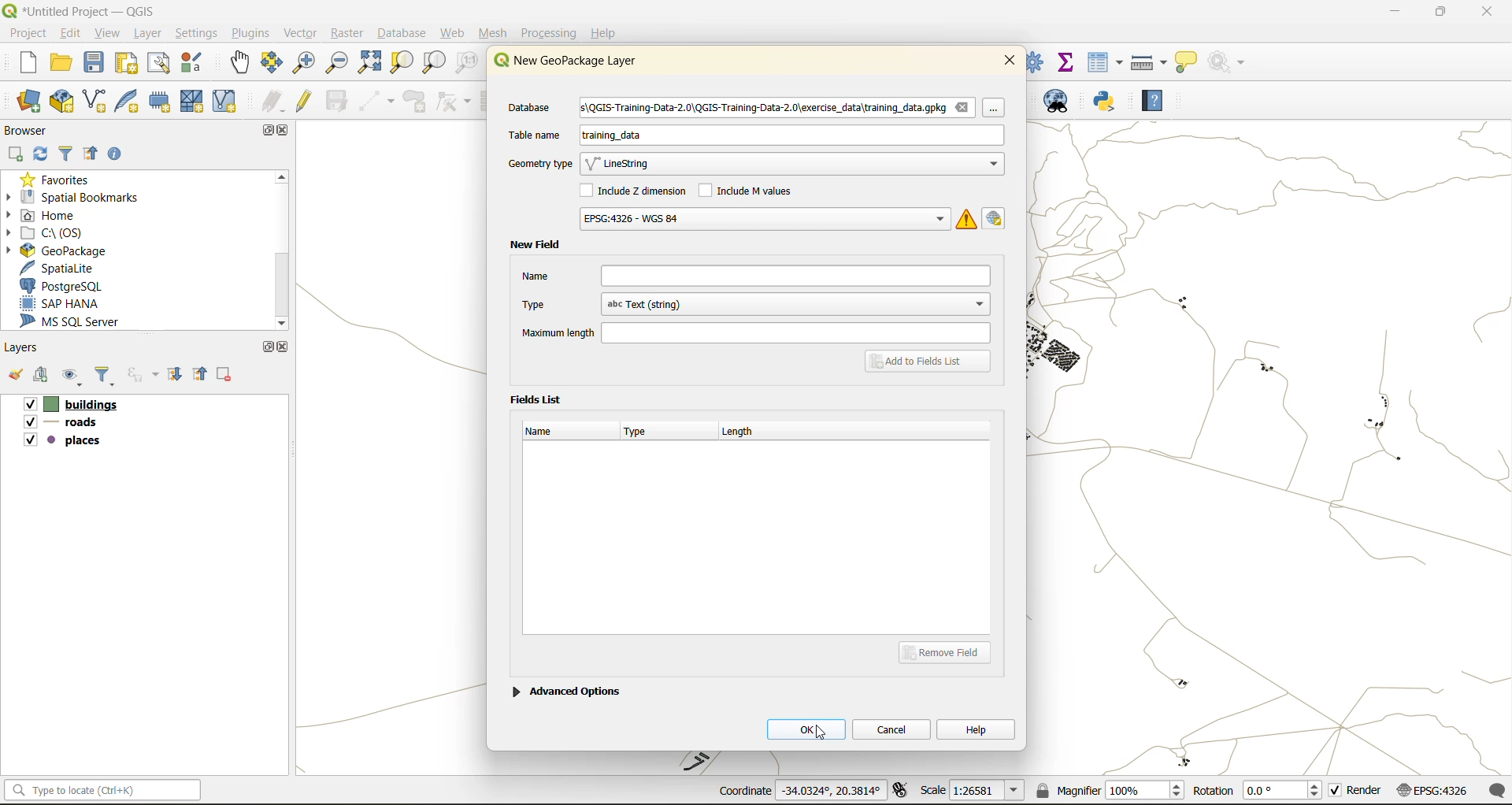 The image size is (1512, 805). What do you see at coordinates (1390, 14) in the screenshot?
I see `minimize` at bounding box center [1390, 14].